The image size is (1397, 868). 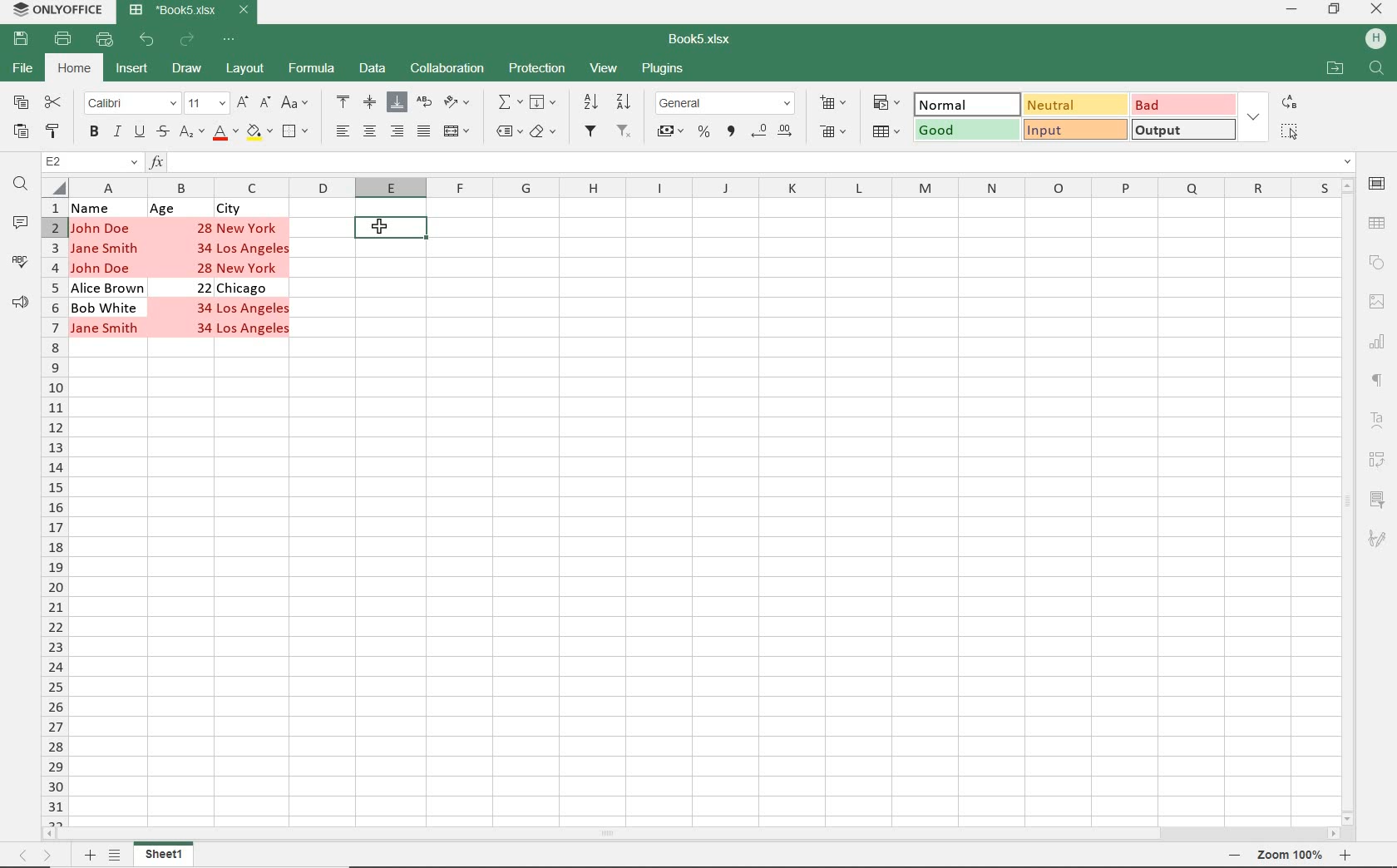 I want to click on WRAP TEXT, so click(x=425, y=106).